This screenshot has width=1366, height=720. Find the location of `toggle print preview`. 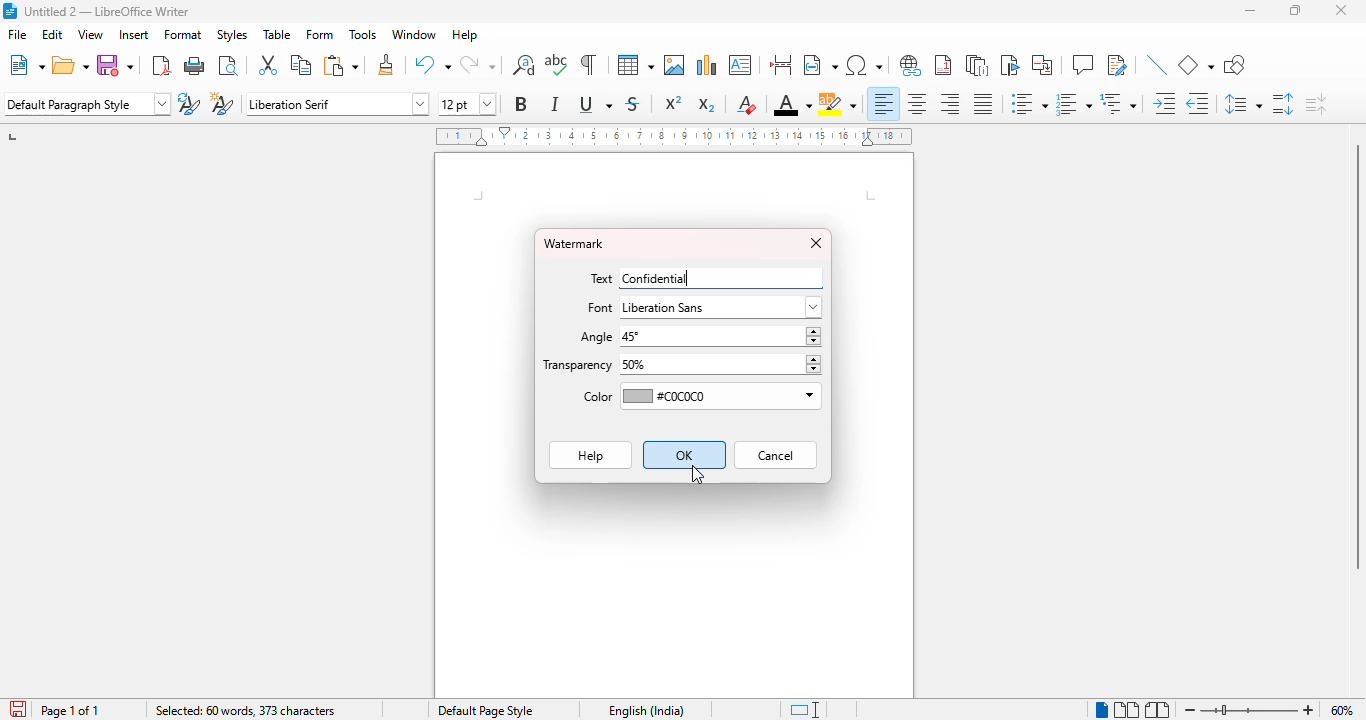

toggle print preview is located at coordinates (228, 65).